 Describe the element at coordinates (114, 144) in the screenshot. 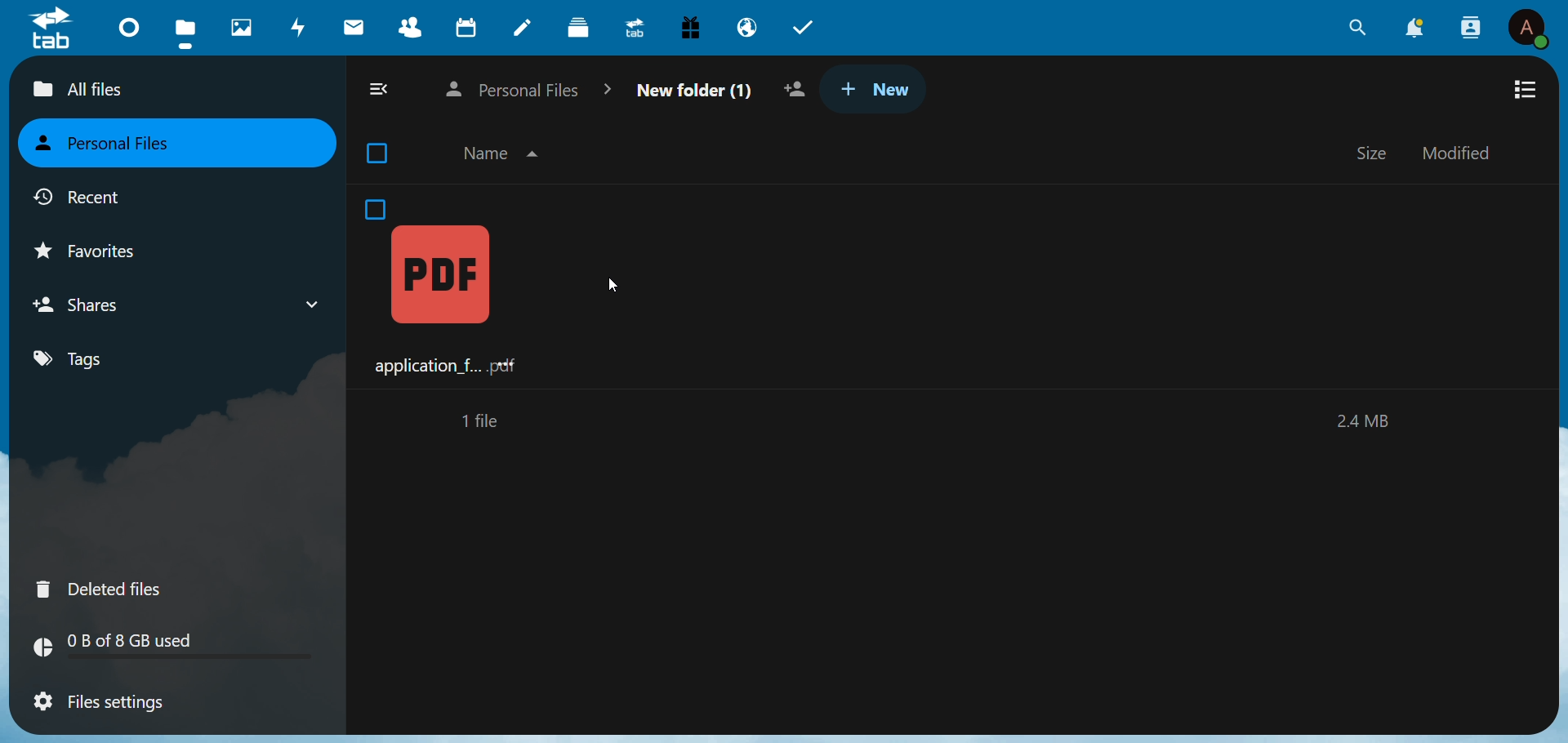

I see `personal files` at that location.